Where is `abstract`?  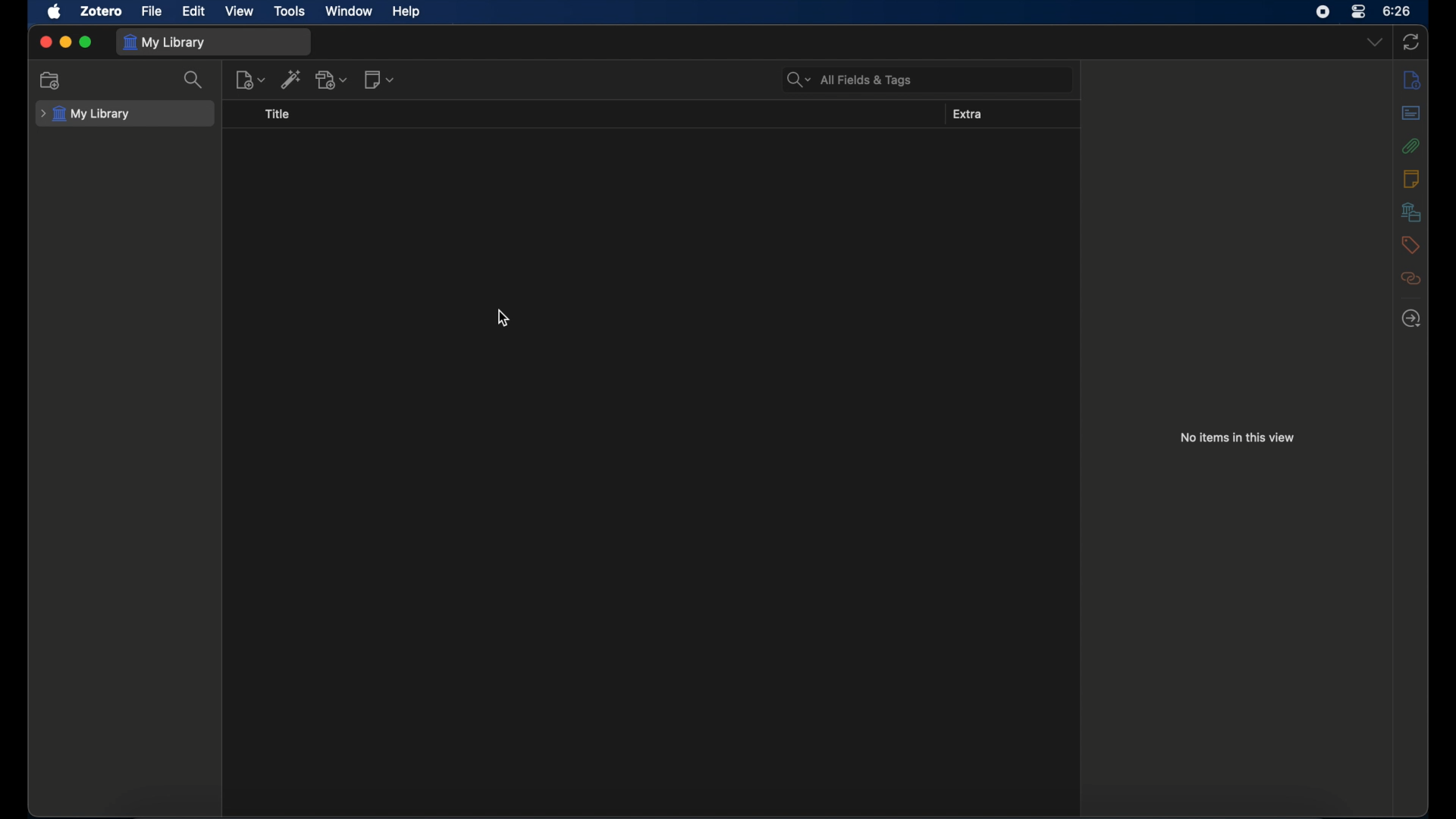
abstract is located at coordinates (1412, 112).